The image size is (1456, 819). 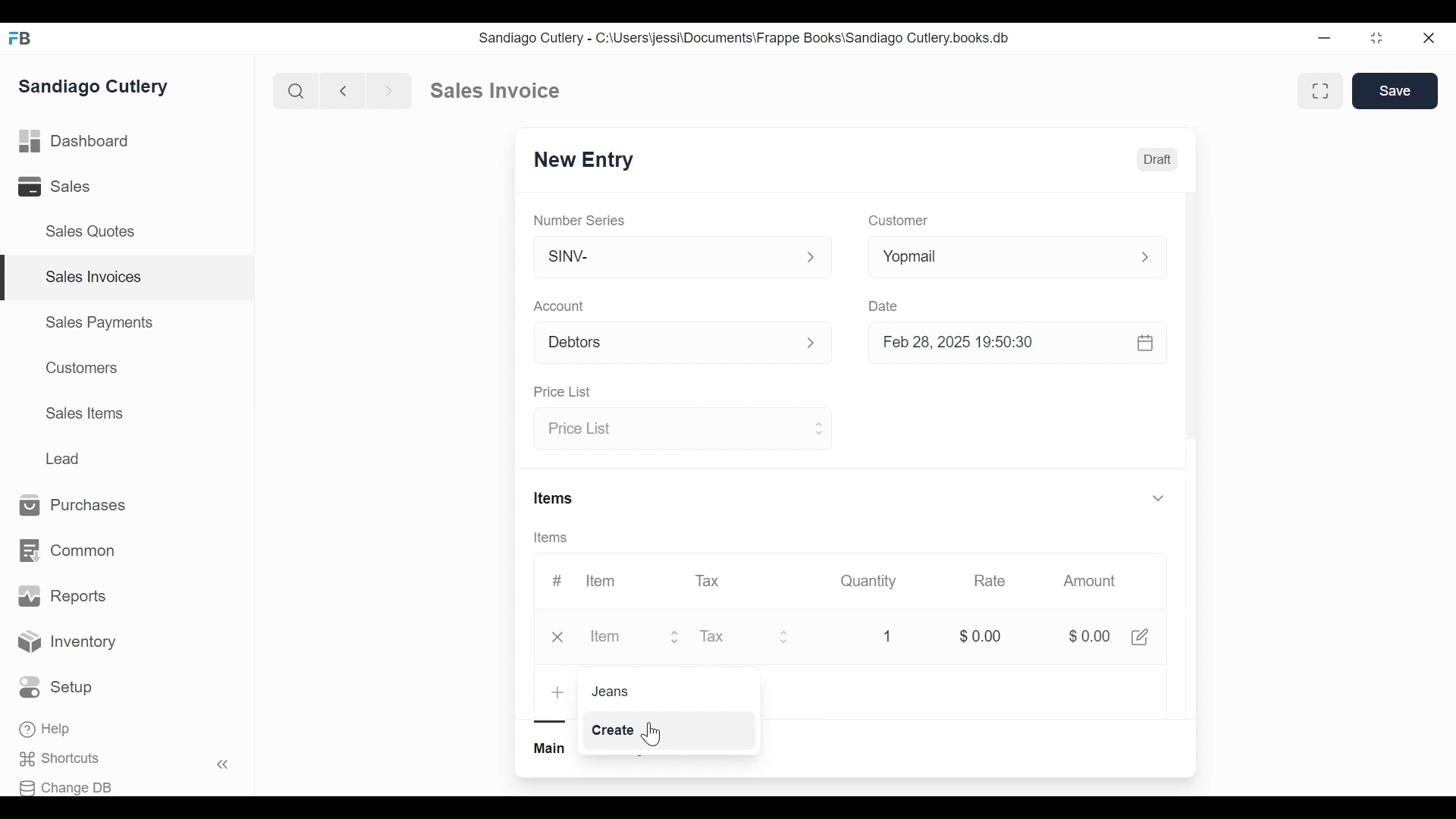 What do you see at coordinates (557, 579) in the screenshot?
I see `#` at bounding box center [557, 579].